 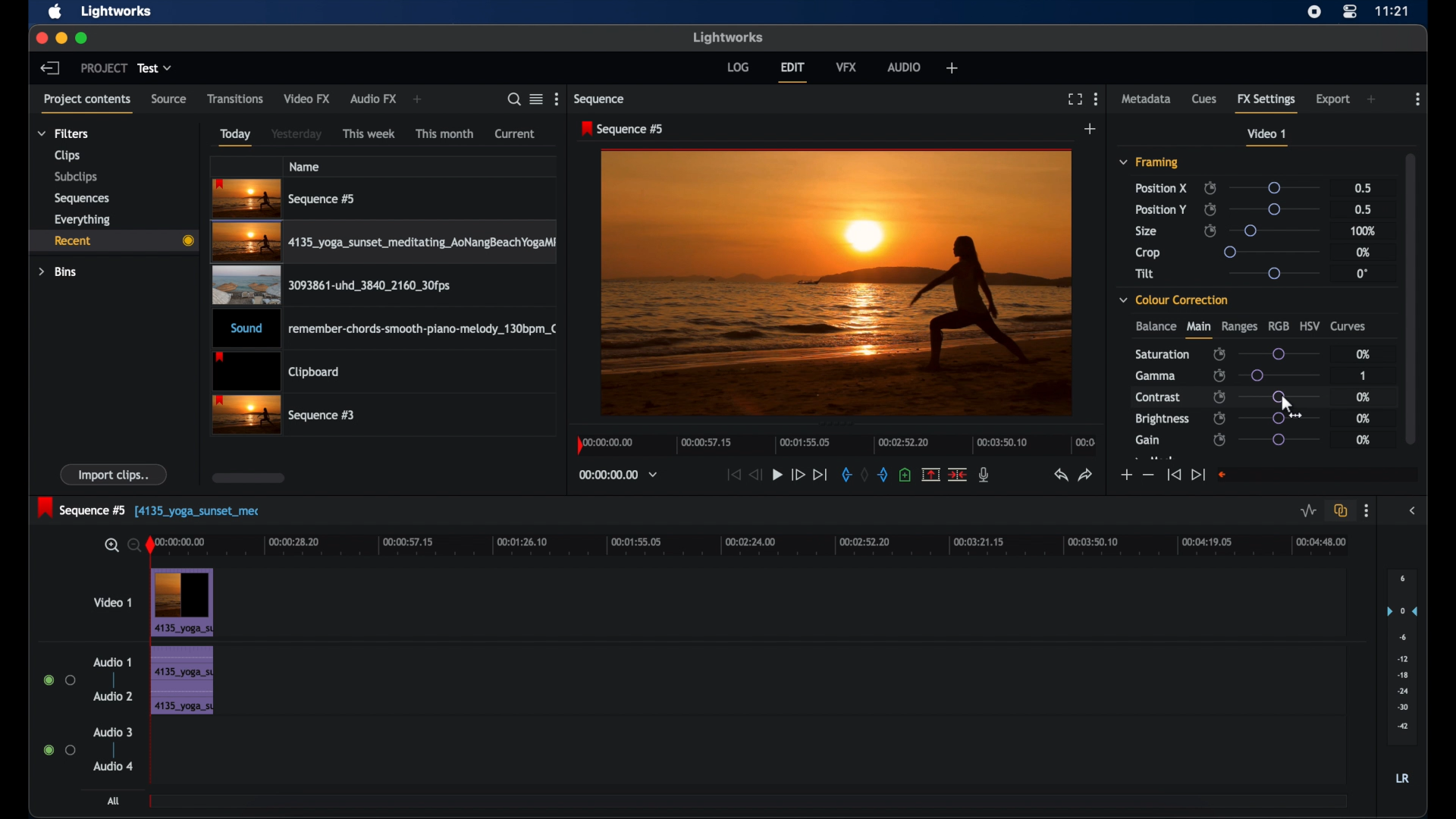 What do you see at coordinates (1392, 11) in the screenshot?
I see `time` at bounding box center [1392, 11].